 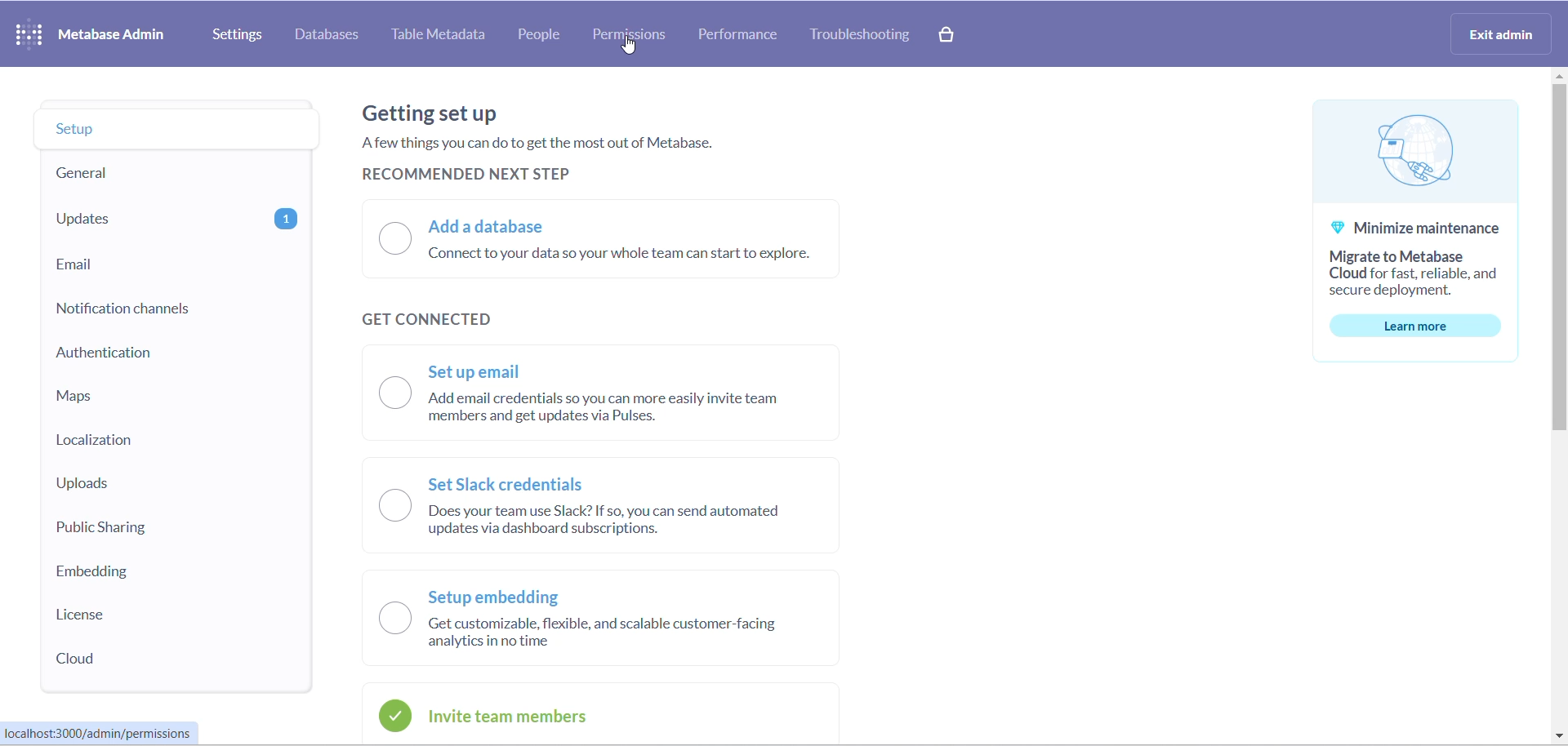 I want to click on people, so click(x=550, y=36).